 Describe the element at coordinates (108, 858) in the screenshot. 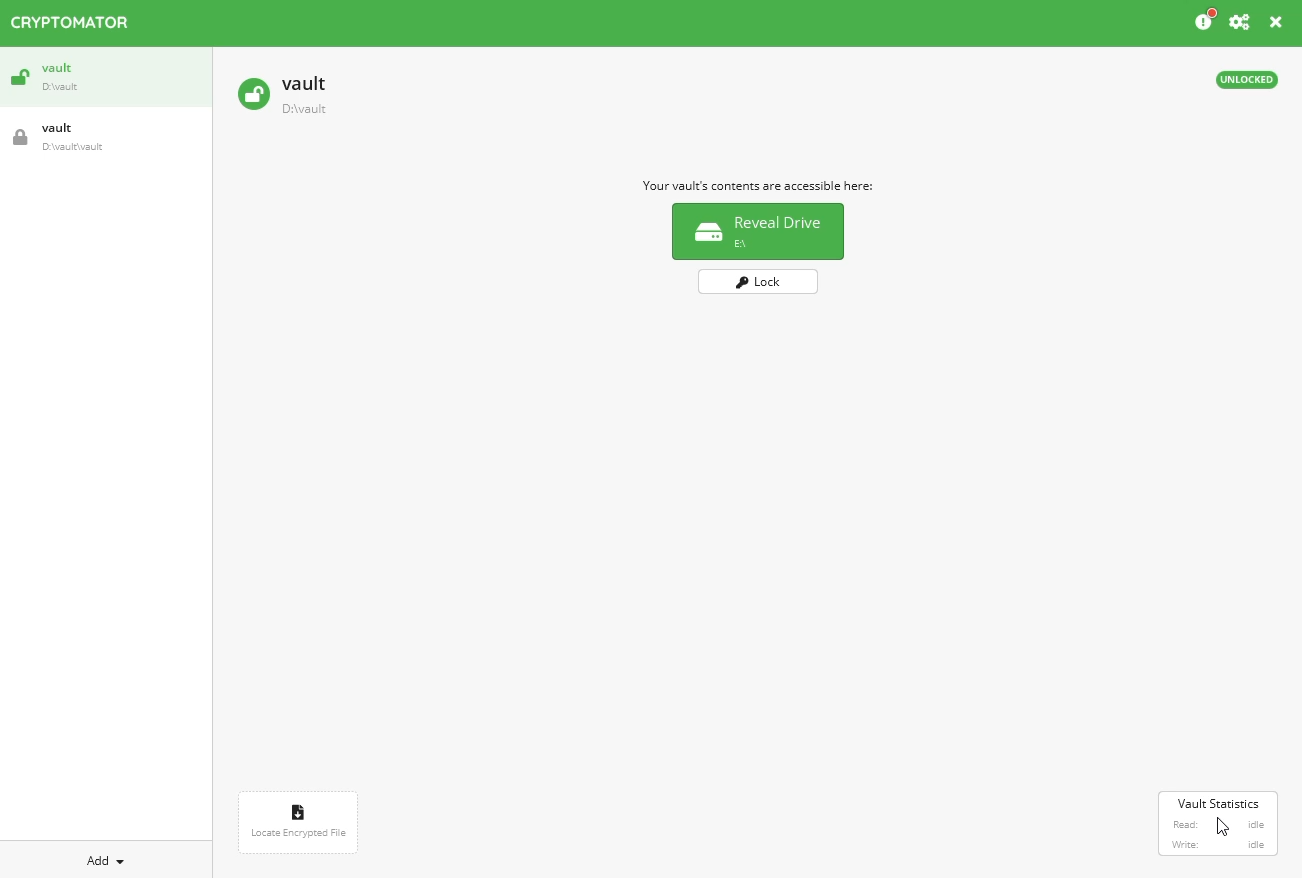

I see `add` at that location.